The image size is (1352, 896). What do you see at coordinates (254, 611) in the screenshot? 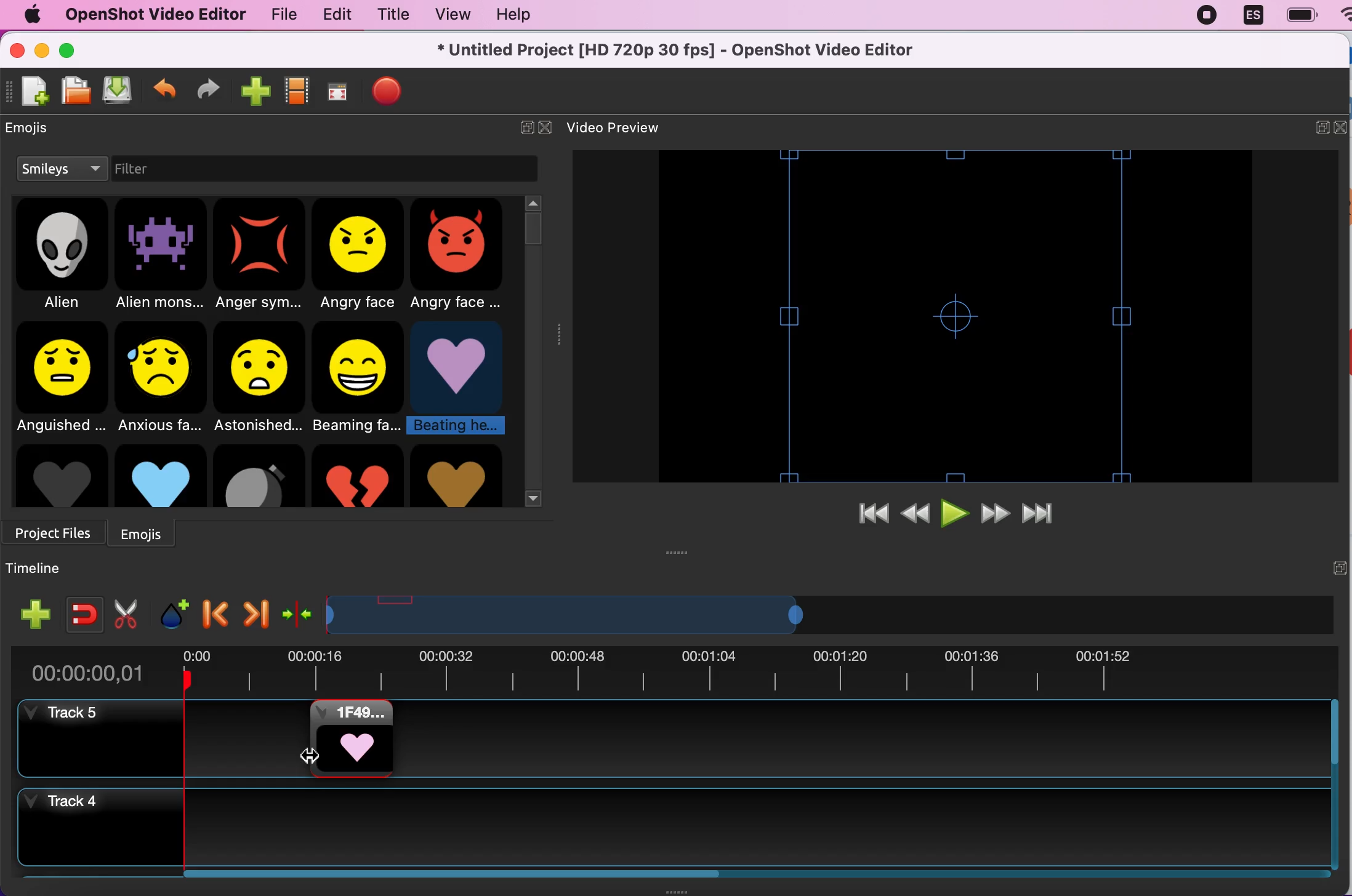
I see `next marker` at bounding box center [254, 611].